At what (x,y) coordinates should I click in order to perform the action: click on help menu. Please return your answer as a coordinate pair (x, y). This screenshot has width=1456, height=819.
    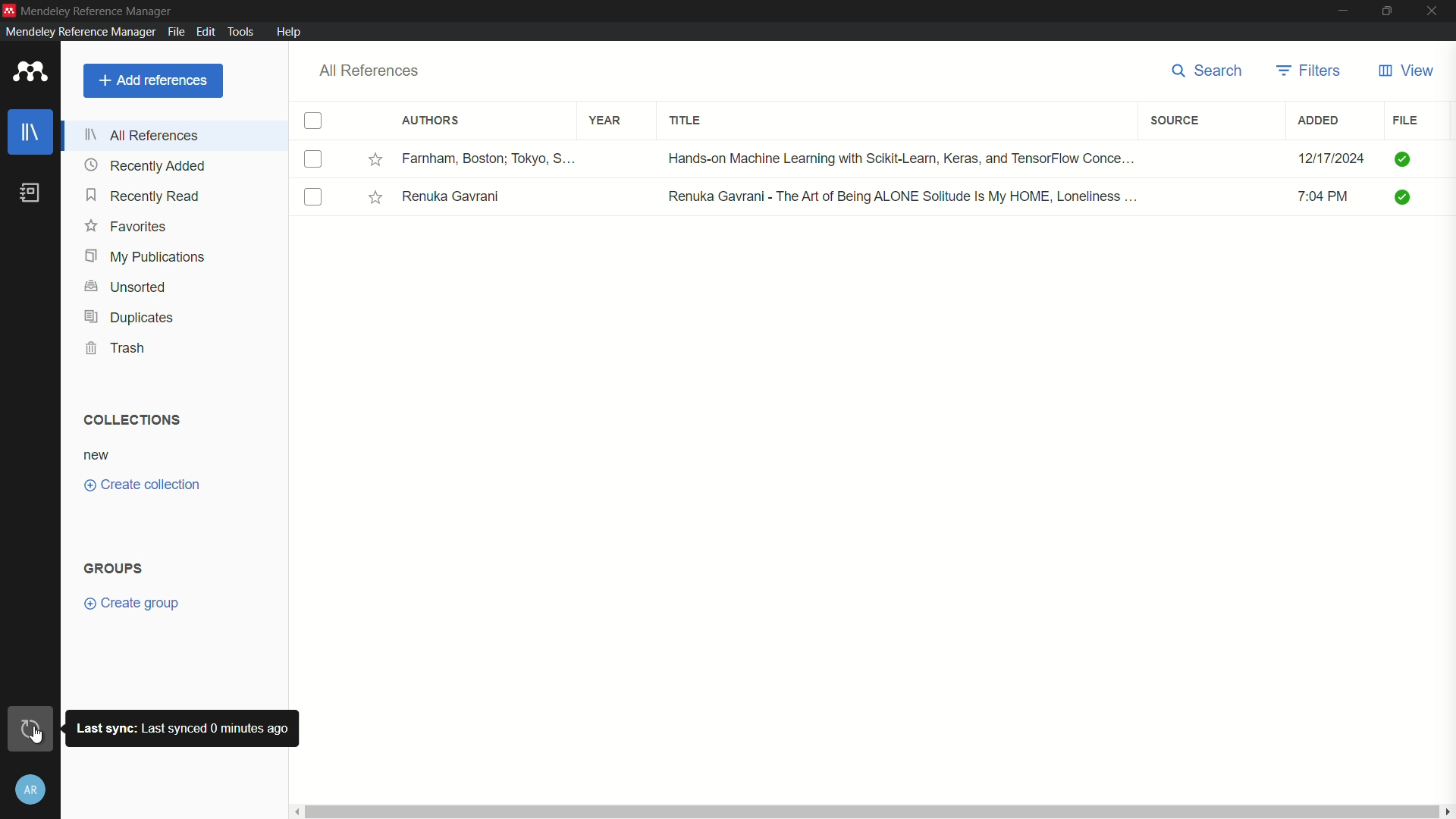
    Looking at the image, I should click on (290, 32).